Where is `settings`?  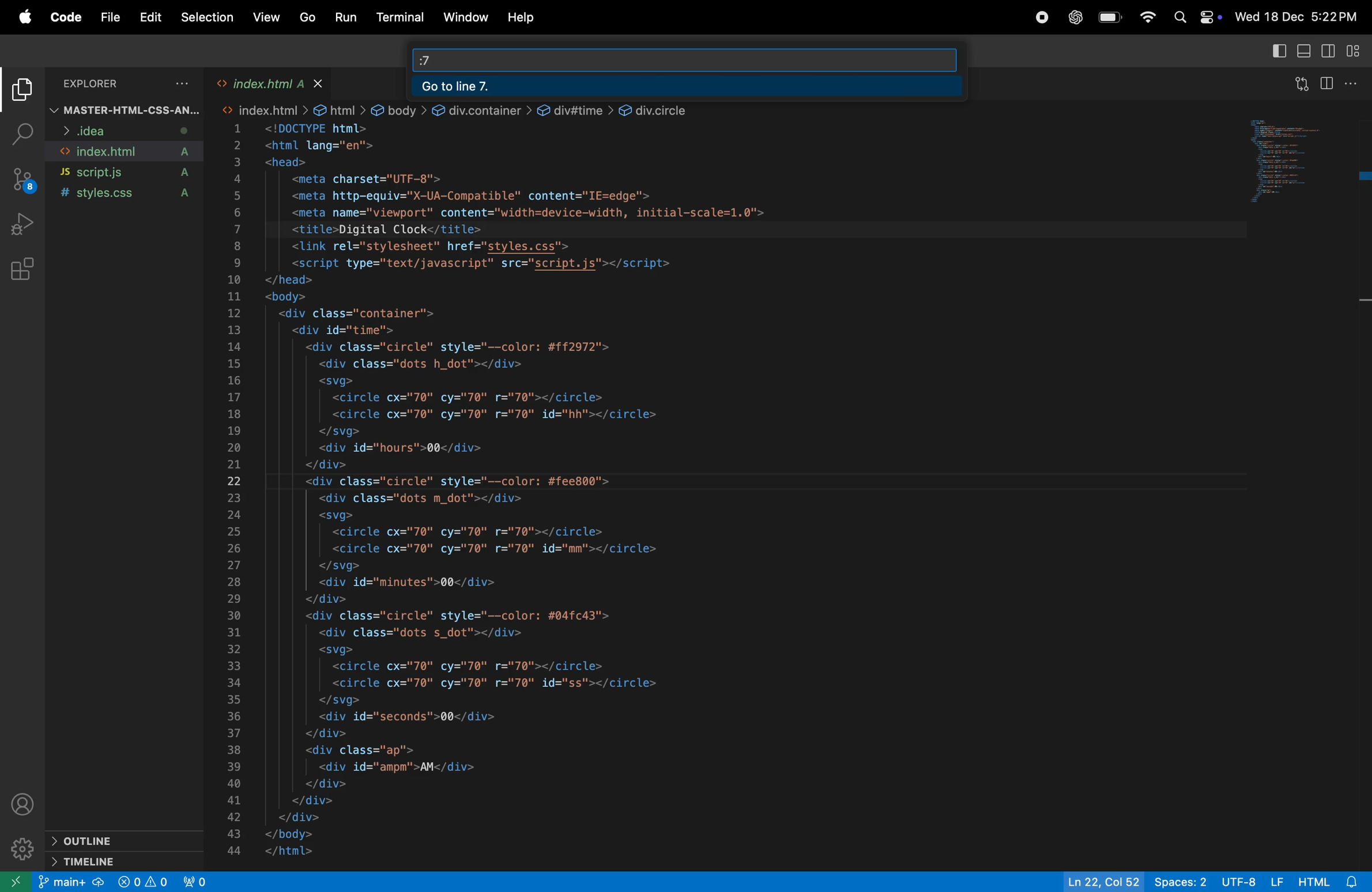
settings is located at coordinates (22, 849).